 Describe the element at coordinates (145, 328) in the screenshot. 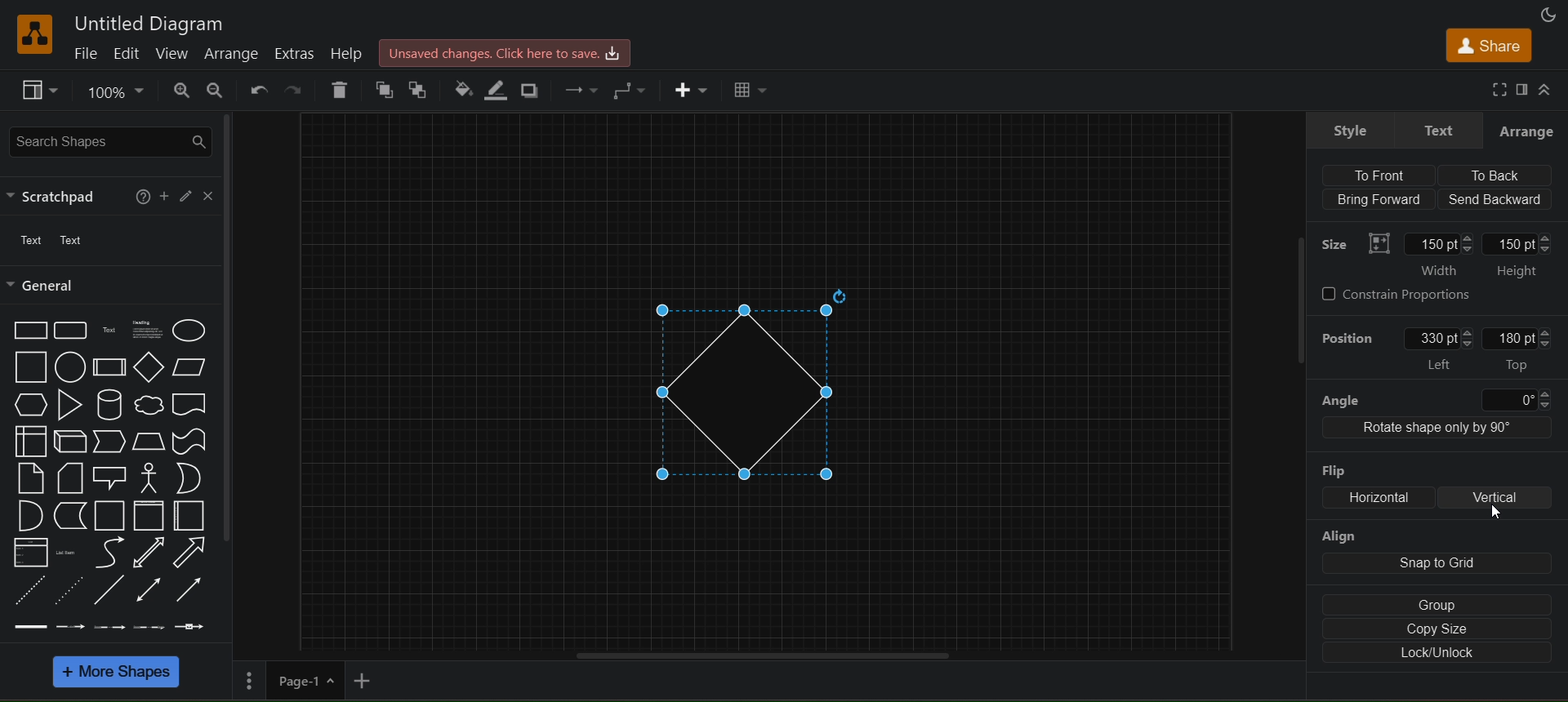

I see `headings` at that location.